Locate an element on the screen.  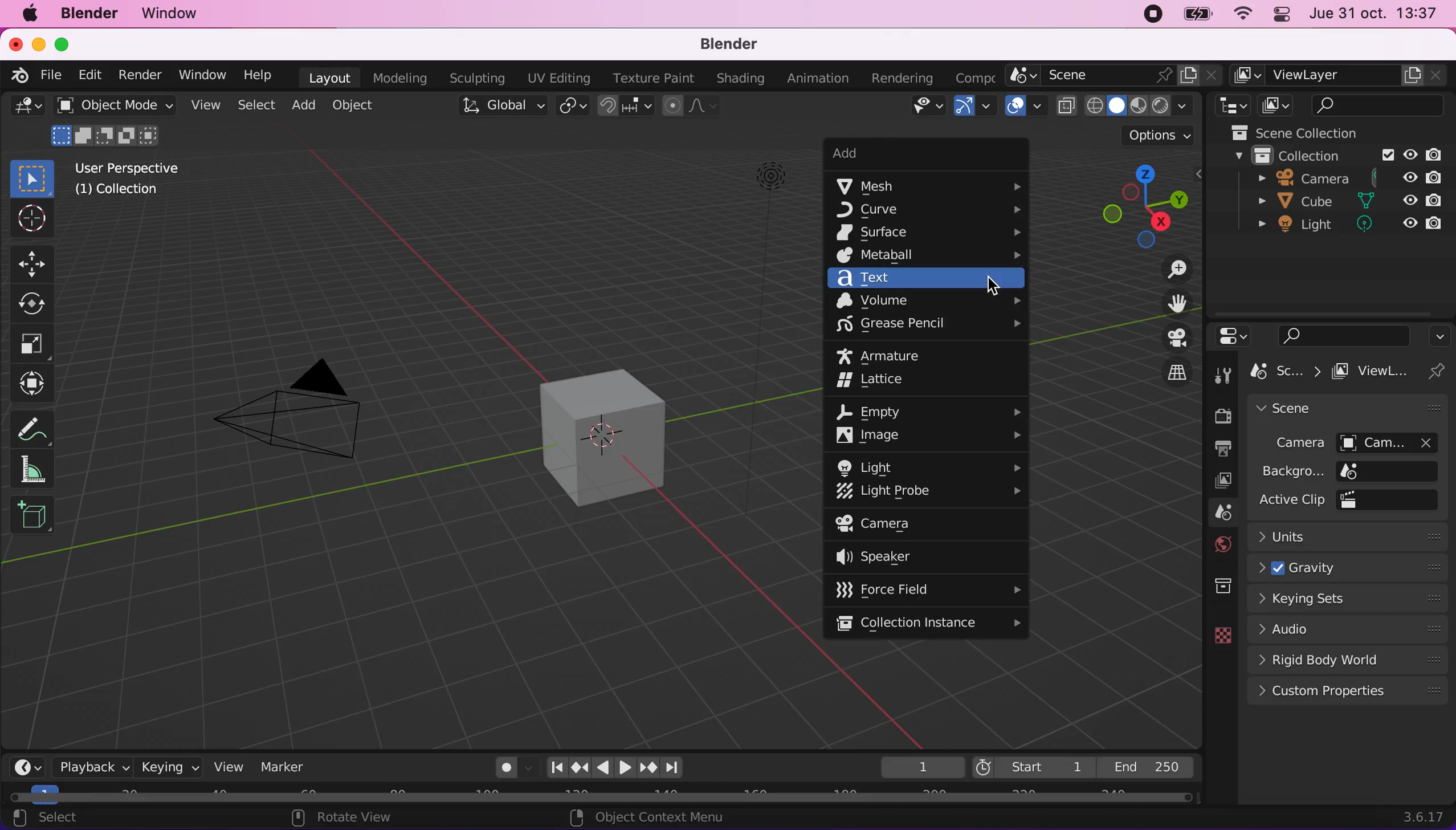
file is located at coordinates (51, 75).